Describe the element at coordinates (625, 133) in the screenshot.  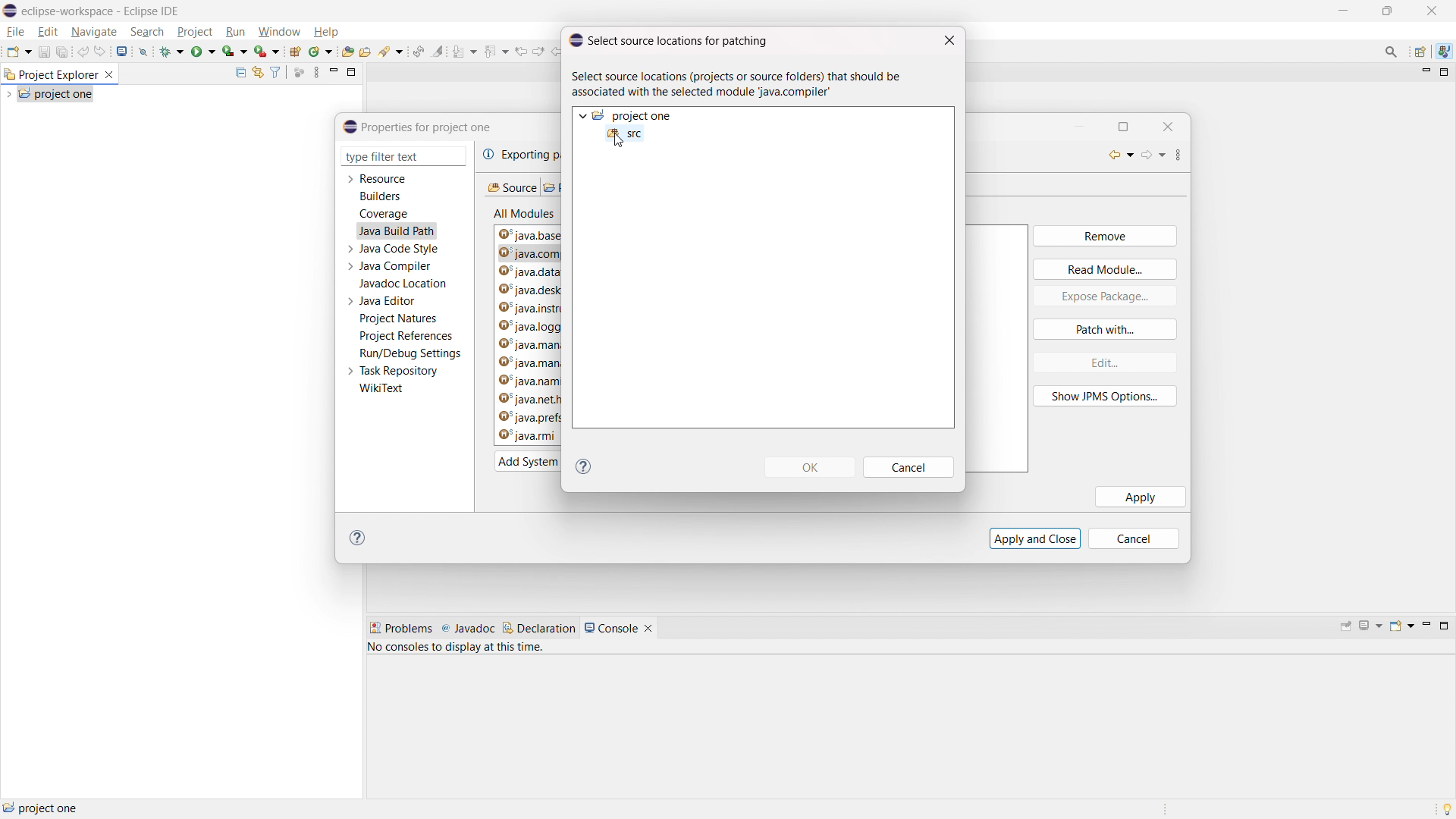
I see `src subfolder` at that location.